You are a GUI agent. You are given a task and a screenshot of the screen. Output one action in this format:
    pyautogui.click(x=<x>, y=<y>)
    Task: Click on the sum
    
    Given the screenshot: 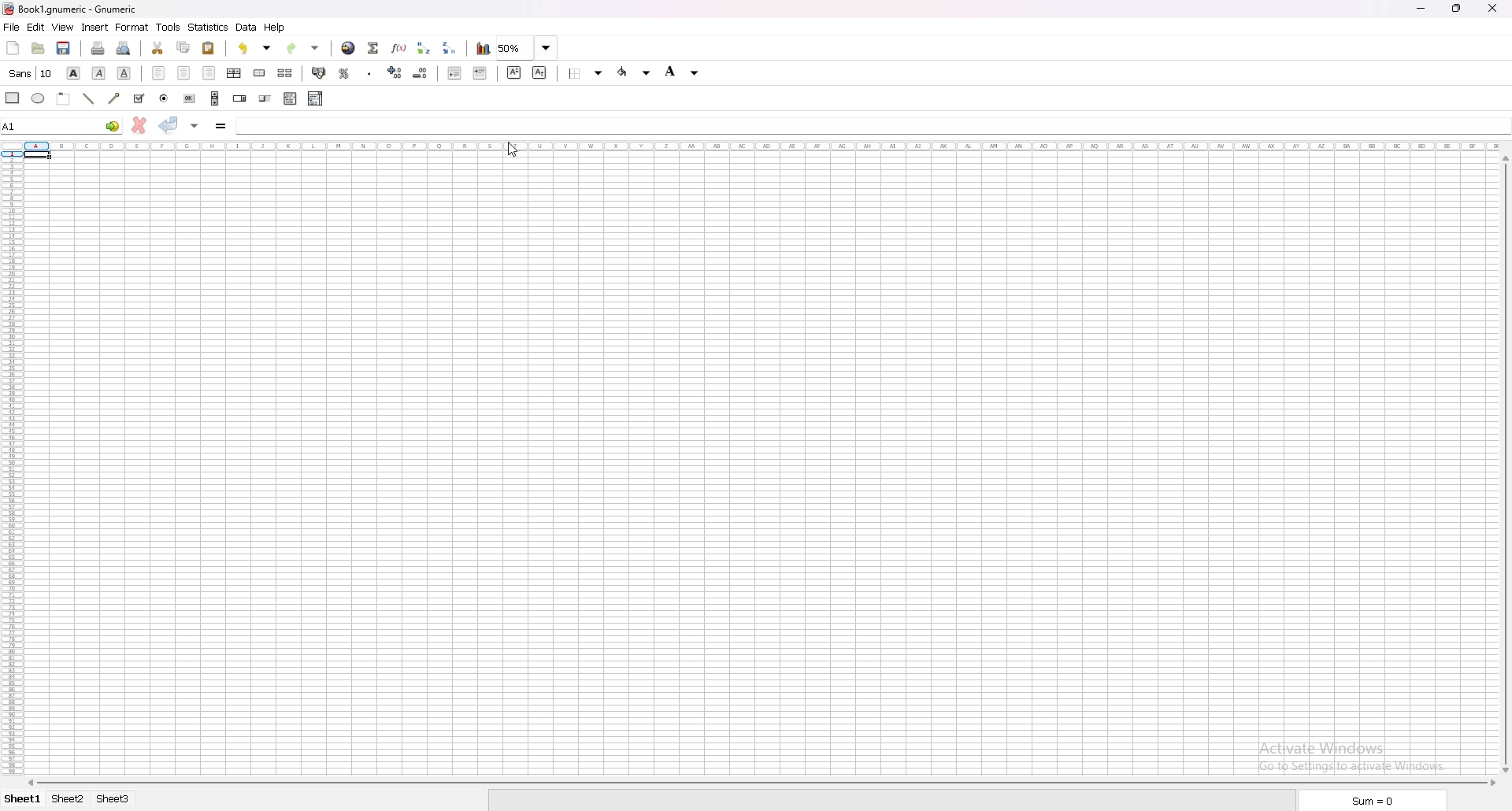 What is the action you would take?
    pyautogui.click(x=1371, y=801)
    